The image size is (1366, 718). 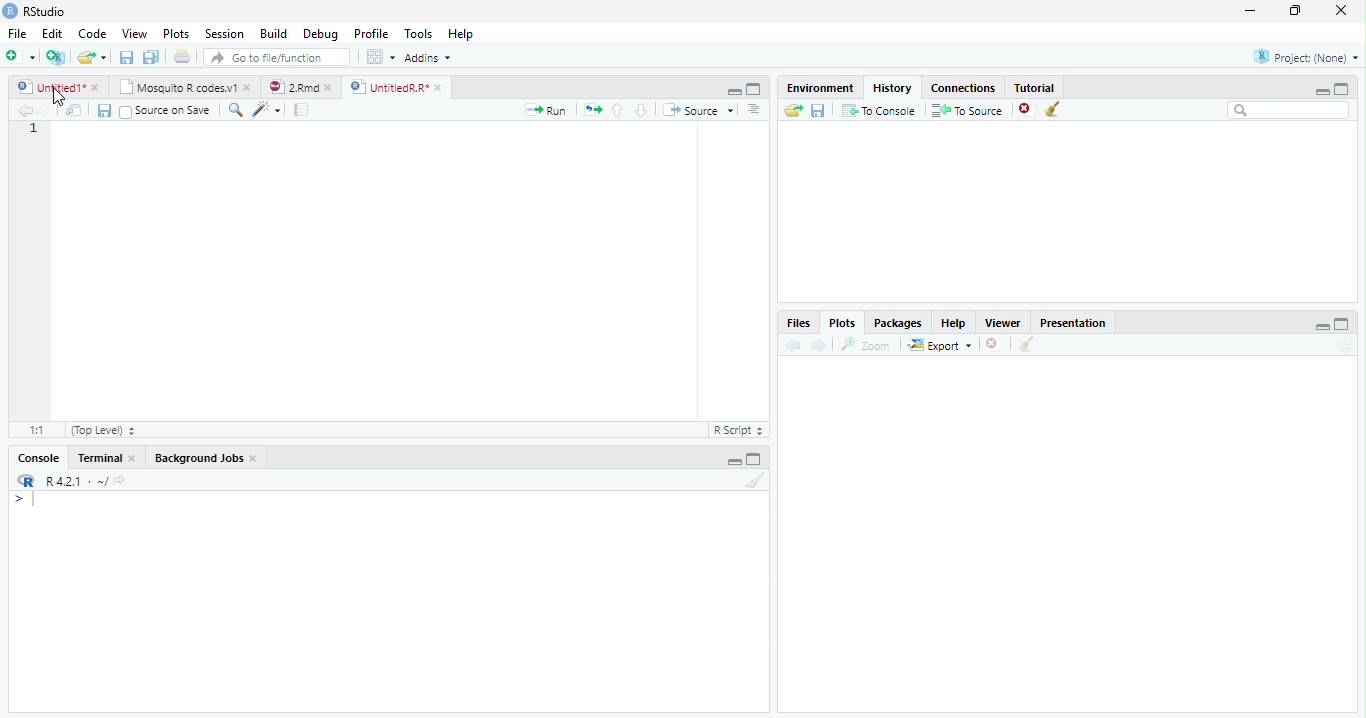 I want to click on debug, so click(x=323, y=35).